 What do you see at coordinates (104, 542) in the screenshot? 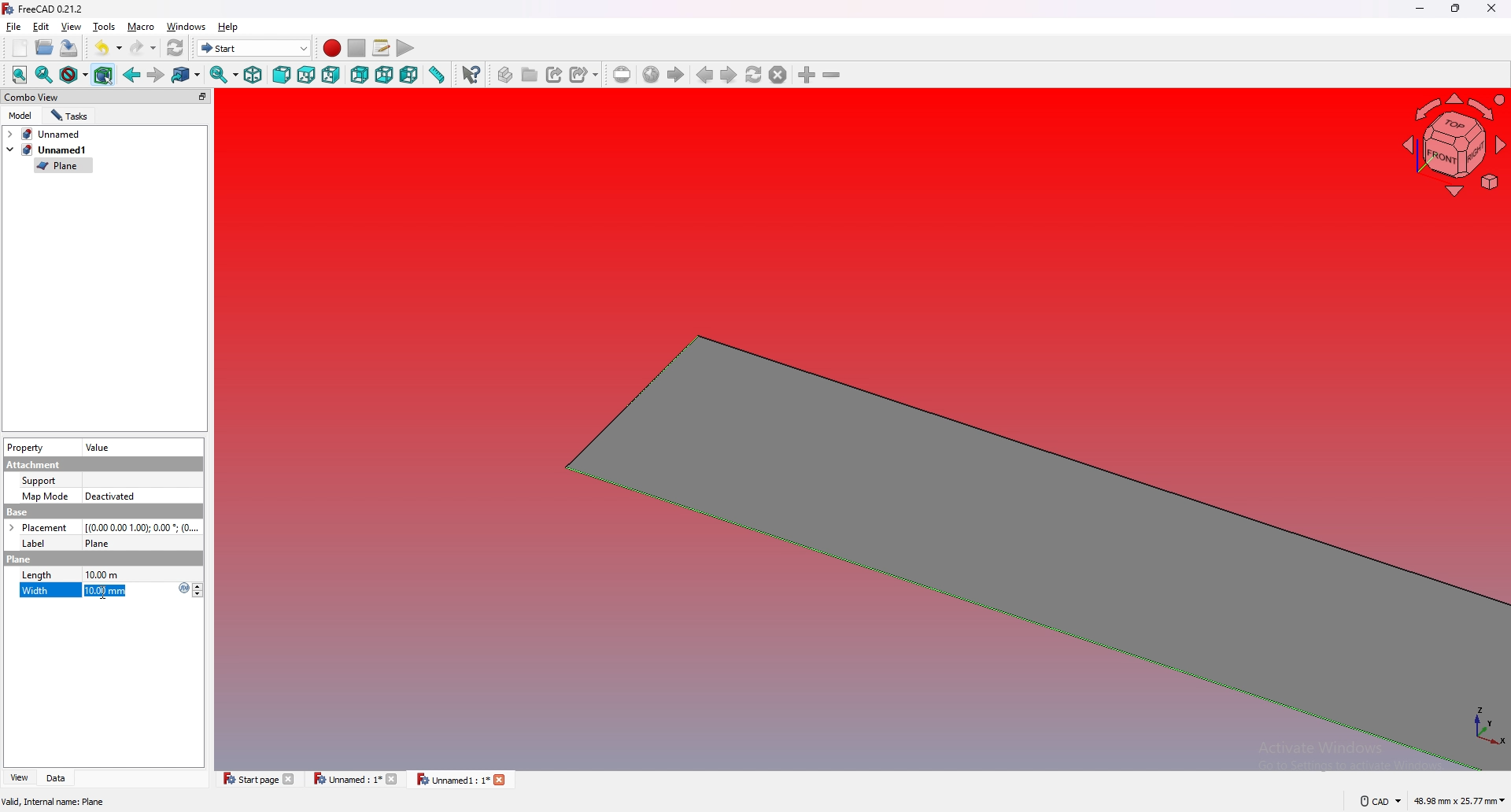
I see `plane` at bounding box center [104, 542].